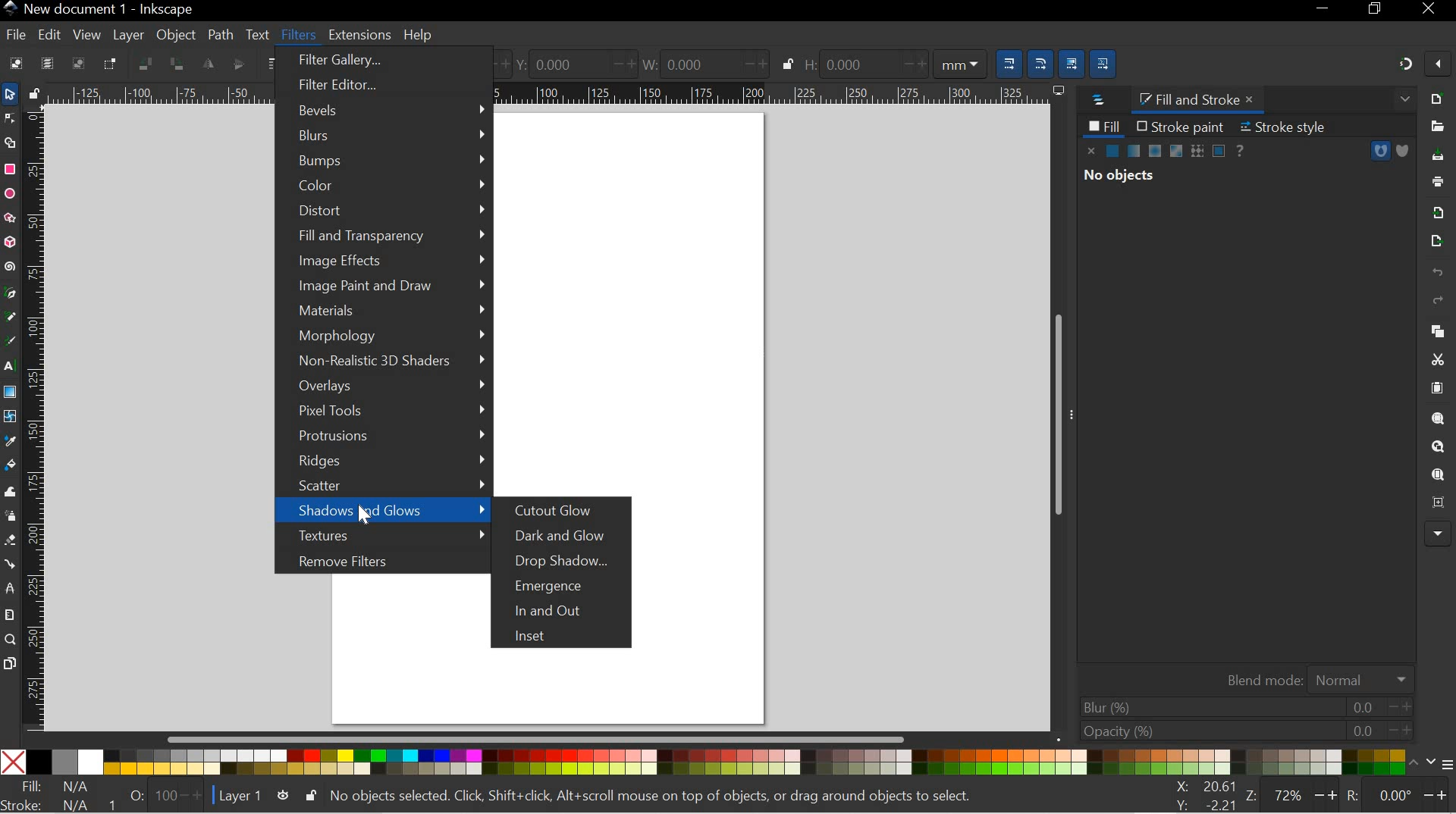  I want to click on TOGGLE LOCK, so click(33, 92).